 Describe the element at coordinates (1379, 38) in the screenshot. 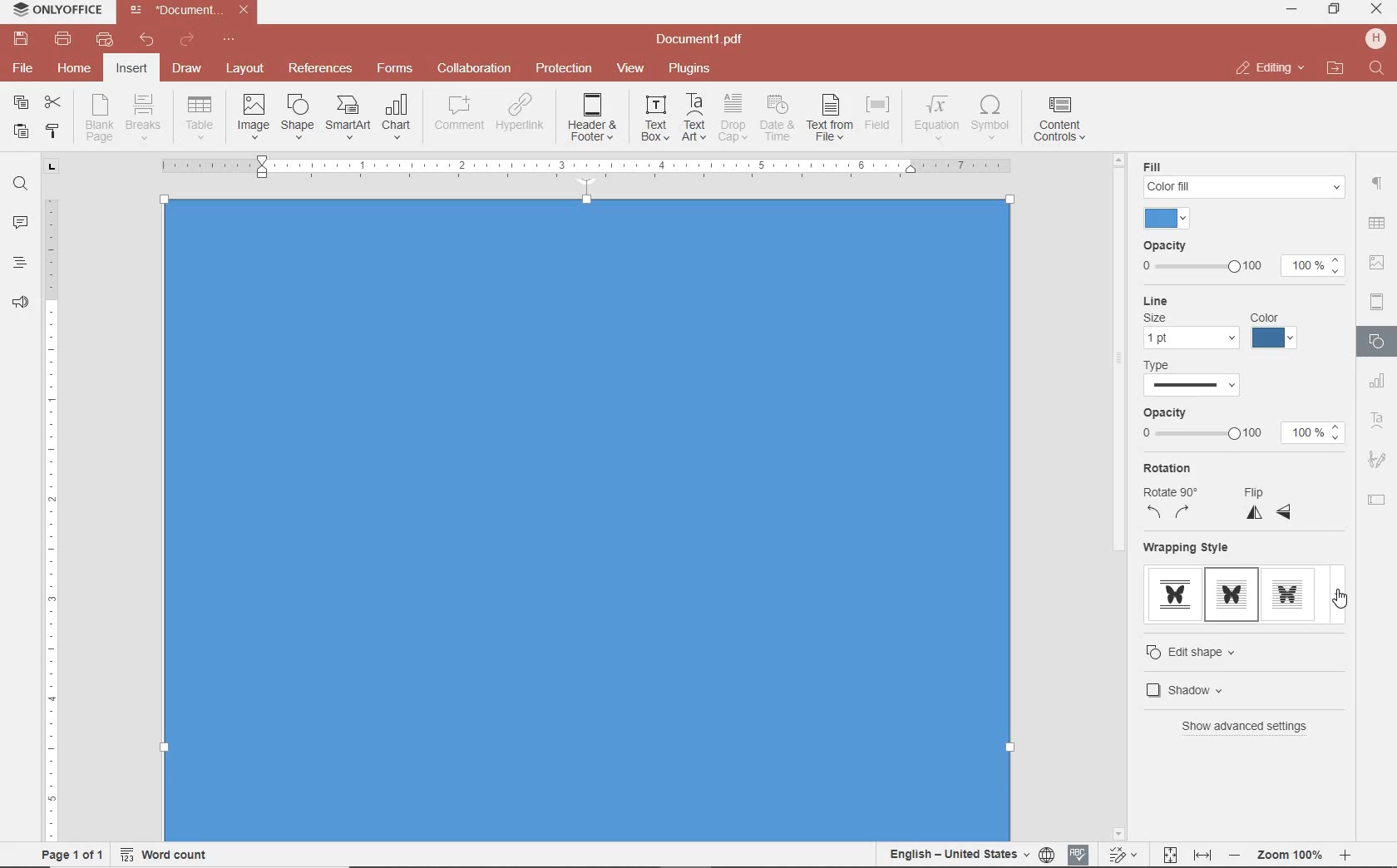

I see `hp` at that location.